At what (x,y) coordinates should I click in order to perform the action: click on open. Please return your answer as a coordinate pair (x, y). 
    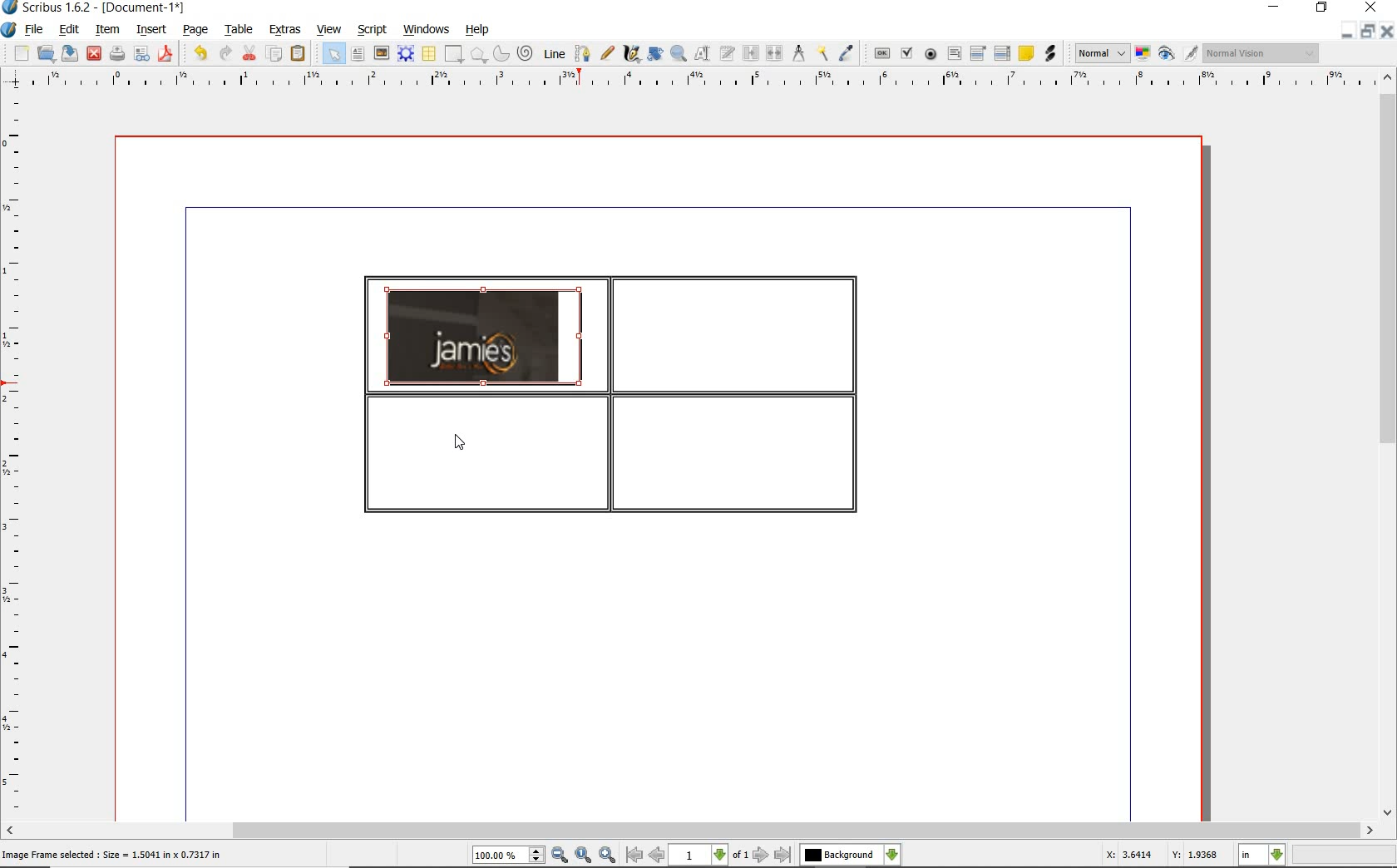
    Looking at the image, I should click on (47, 54).